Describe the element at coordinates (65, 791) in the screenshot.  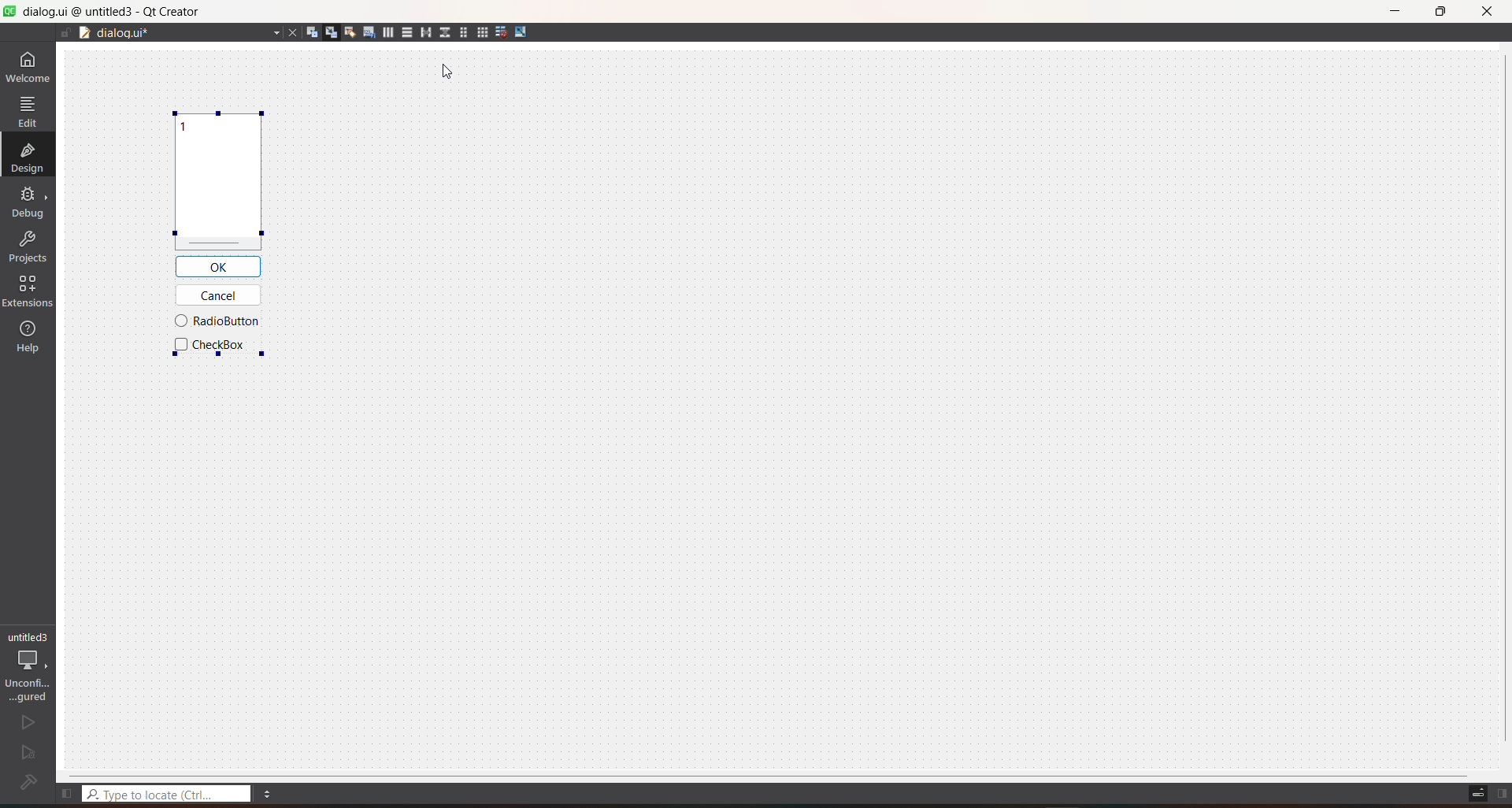
I see `show left sidebar` at that location.